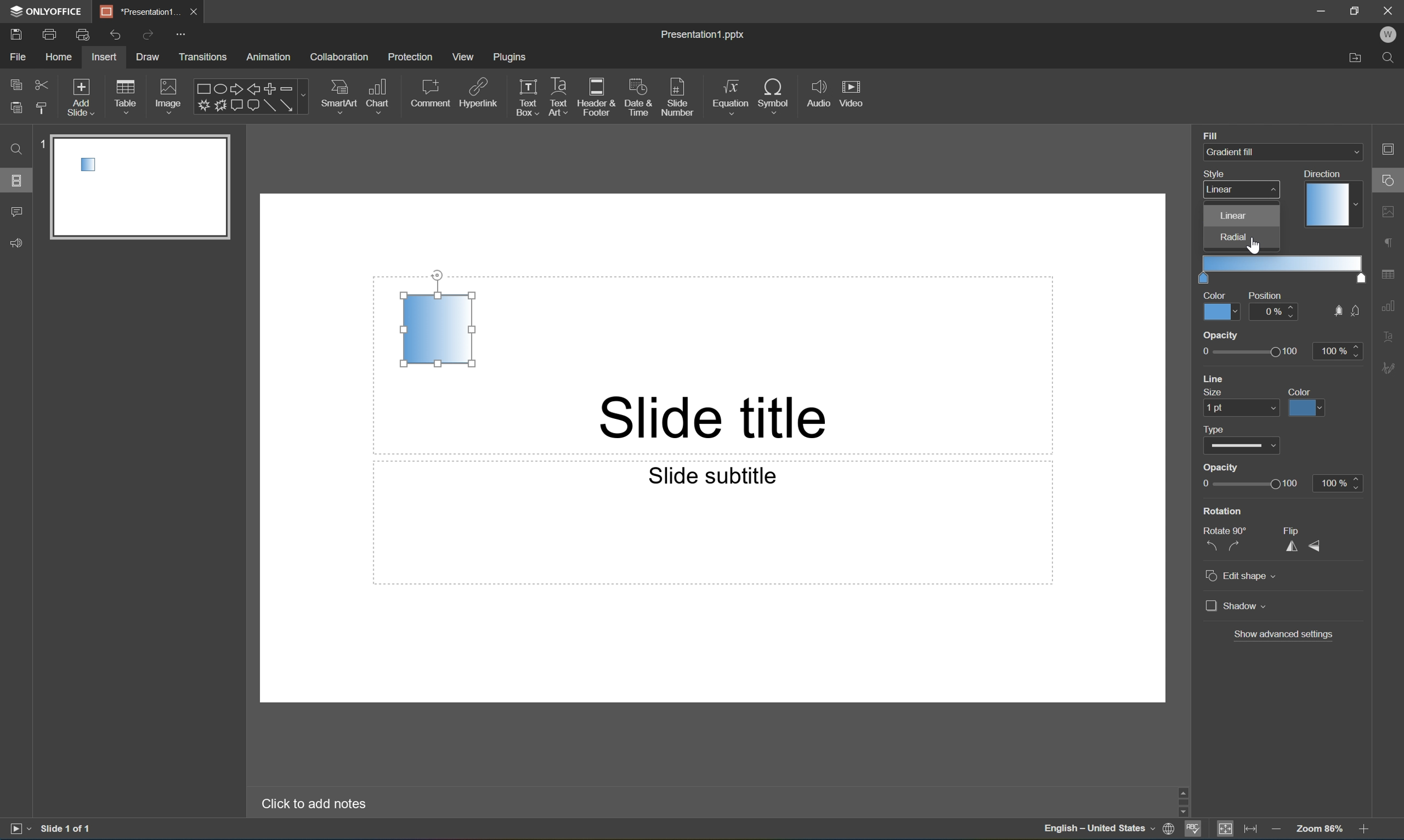  I want to click on Ellipse, so click(219, 90).